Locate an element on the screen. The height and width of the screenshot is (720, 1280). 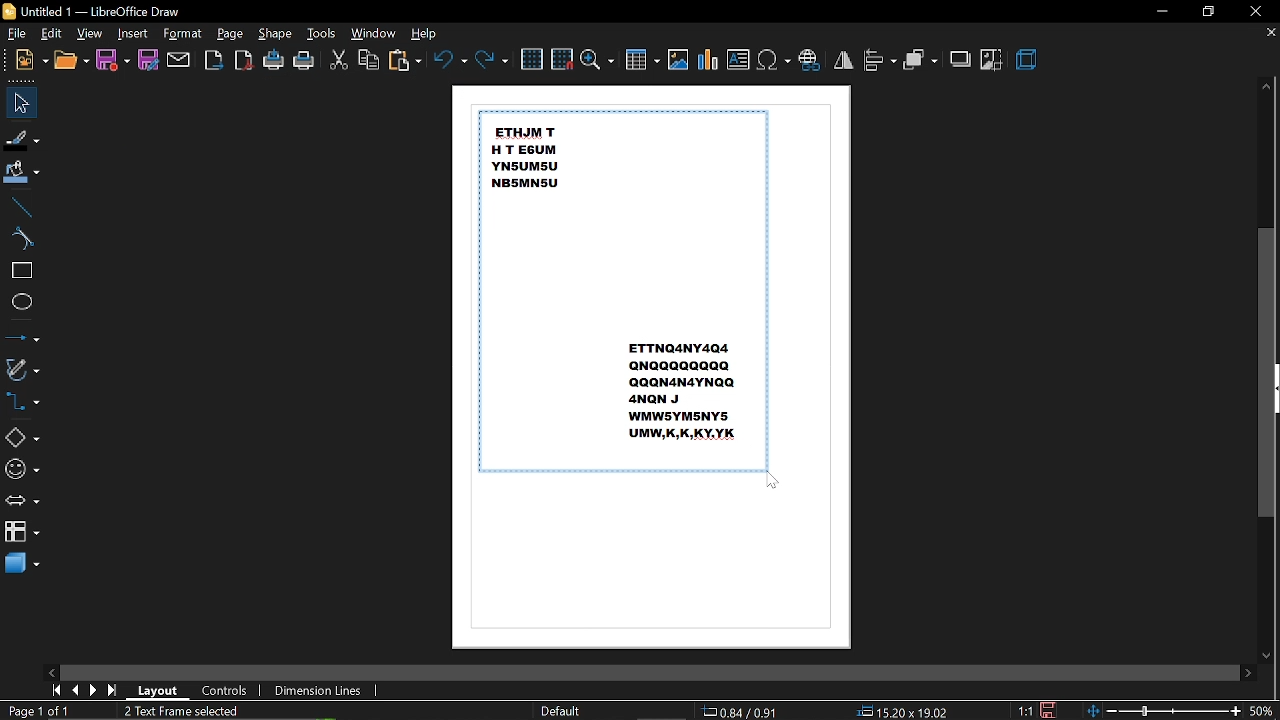
close is located at coordinates (1258, 11).